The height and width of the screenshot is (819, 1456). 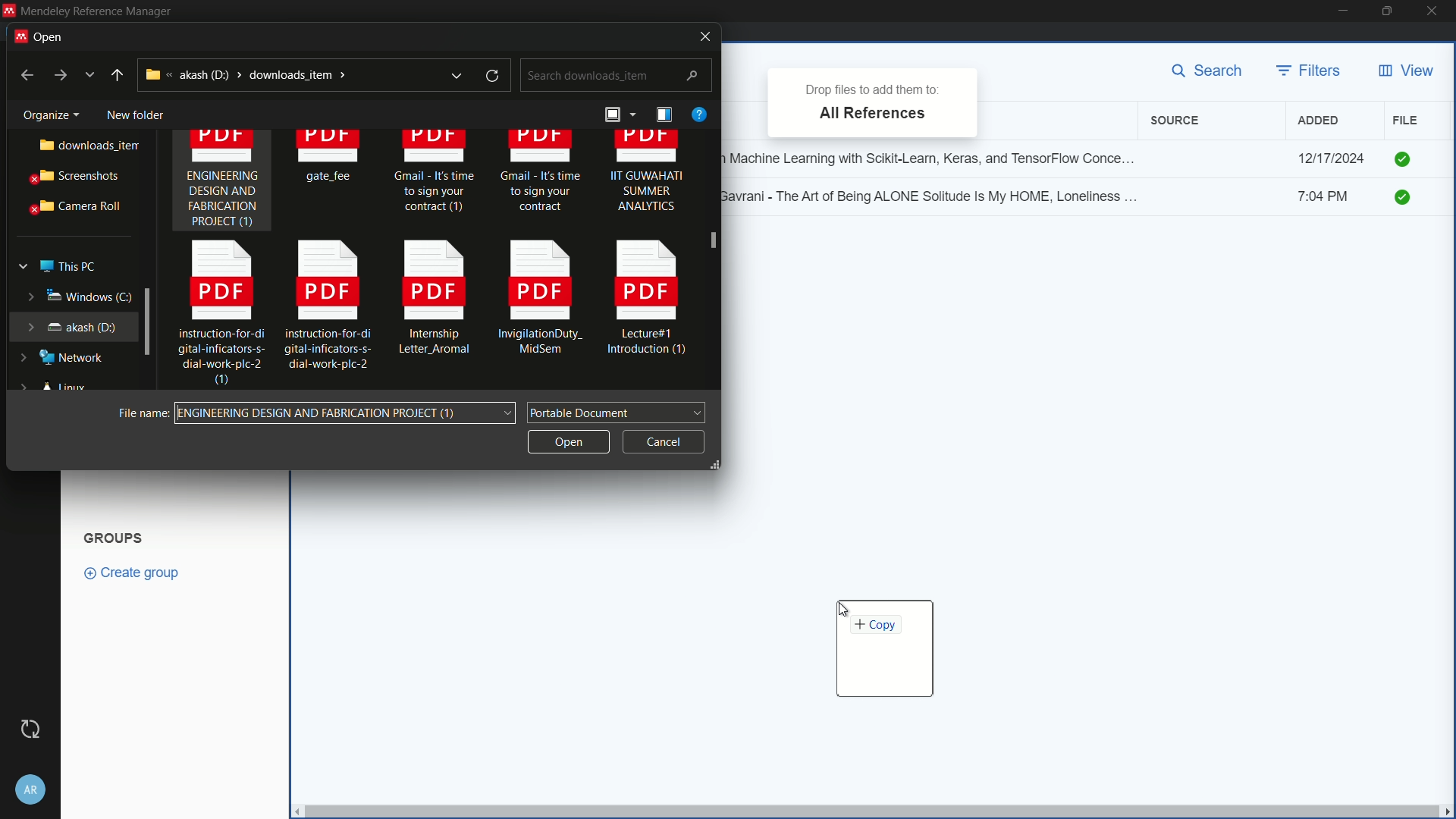 What do you see at coordinates (937, 155) in the screenshot?
I see `Hands-on Machine Learning with Scikit-Learn, Keras, and TensorFlow Conce...` at bounding box center [937, 155].